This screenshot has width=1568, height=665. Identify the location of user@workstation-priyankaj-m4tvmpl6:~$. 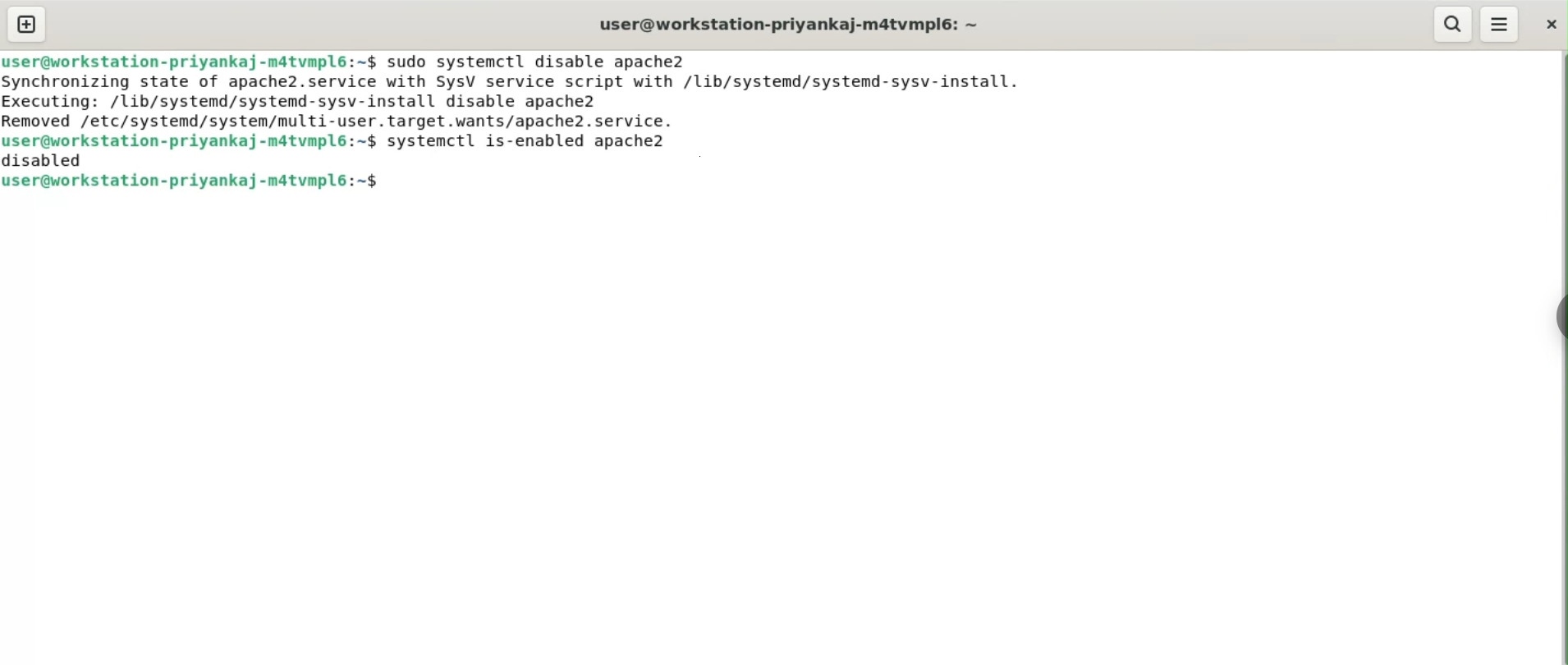
(190, 59).